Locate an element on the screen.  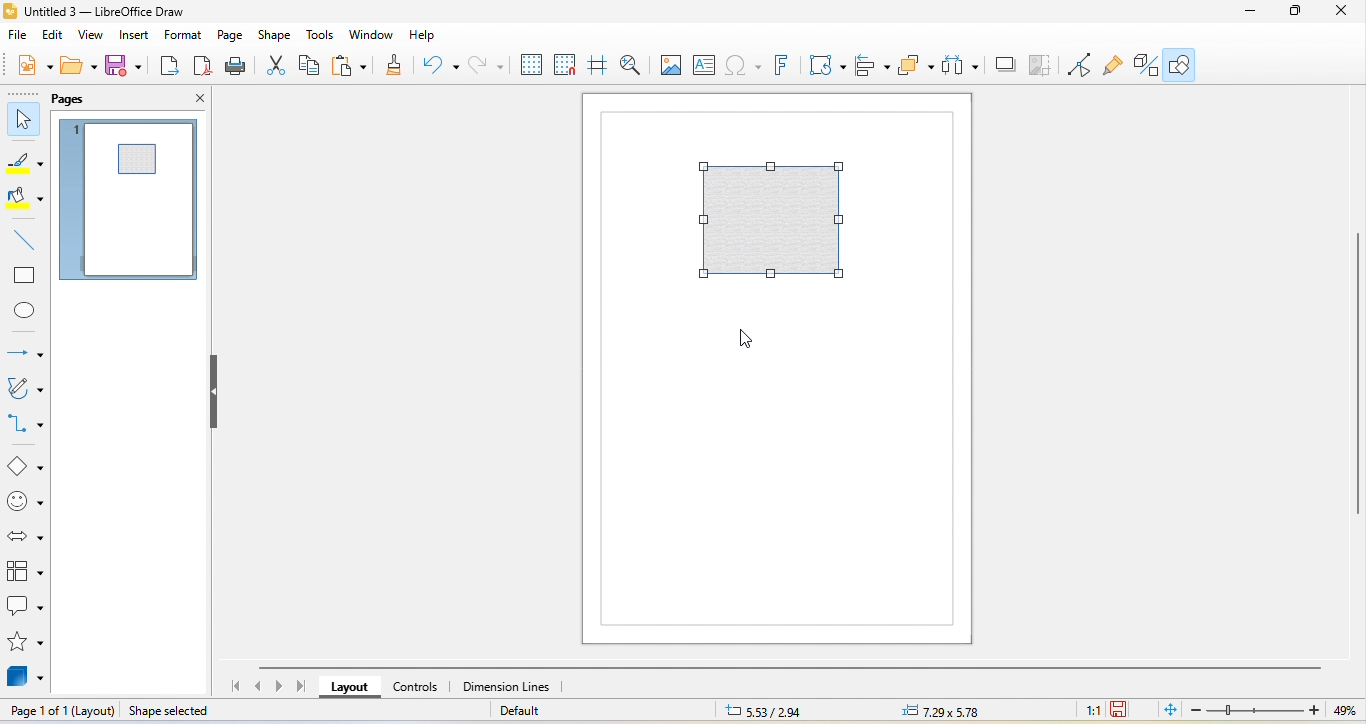
1:1 is located at coordinates (1085, 709).